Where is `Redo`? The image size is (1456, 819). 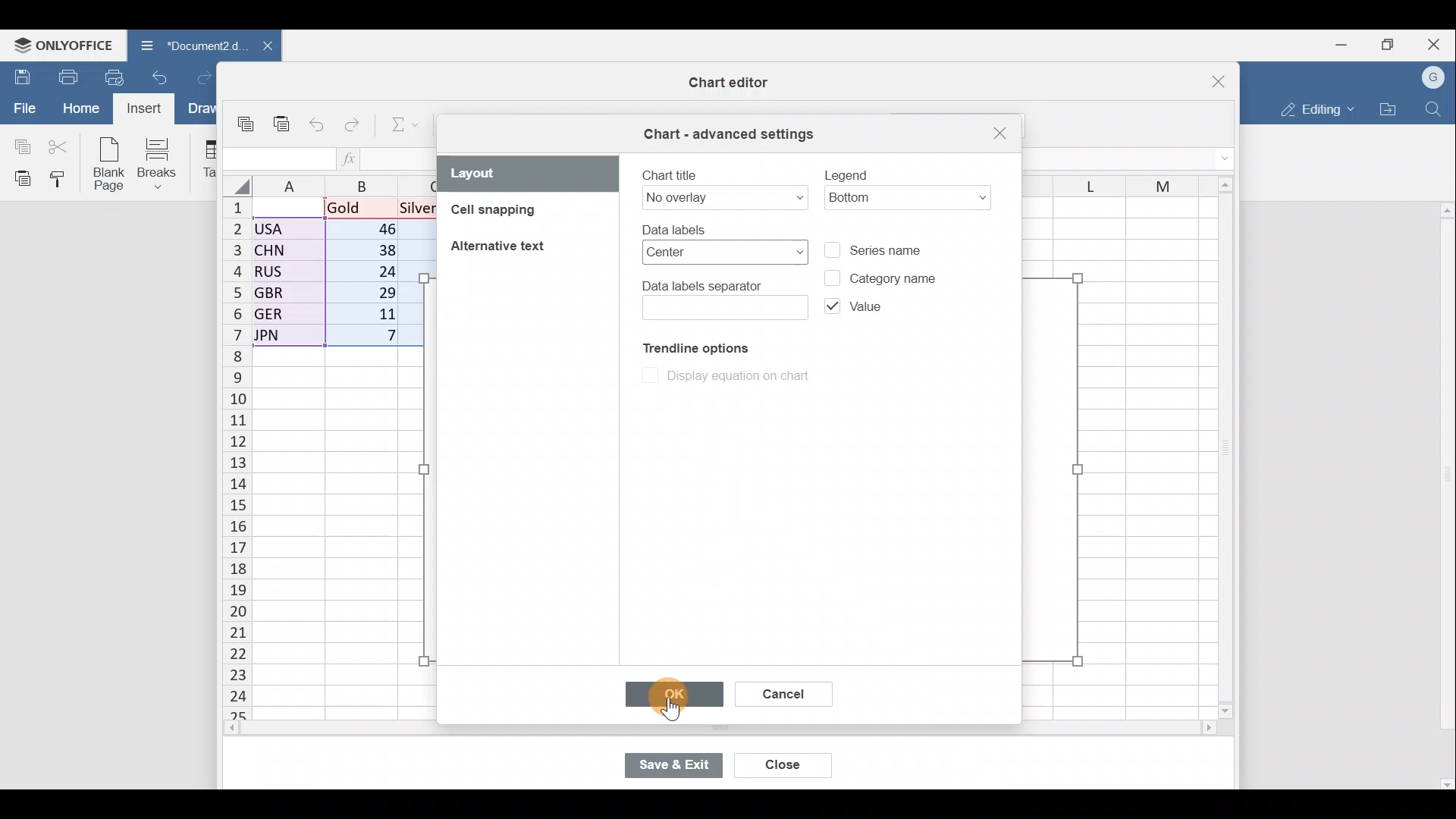
Redo is located at coordinates (210, 79).